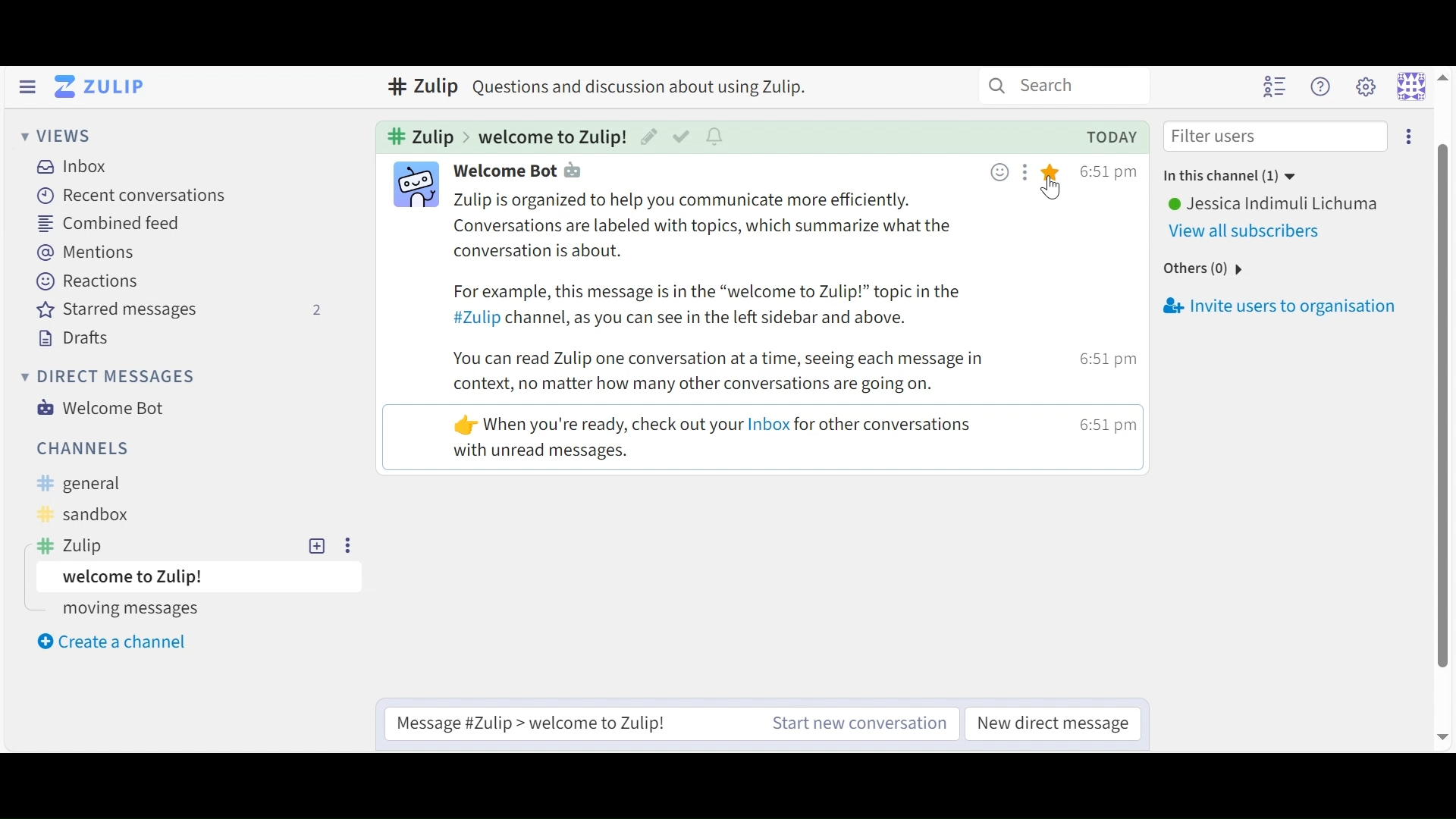  I want to click on Inbox, so click(71, 166).